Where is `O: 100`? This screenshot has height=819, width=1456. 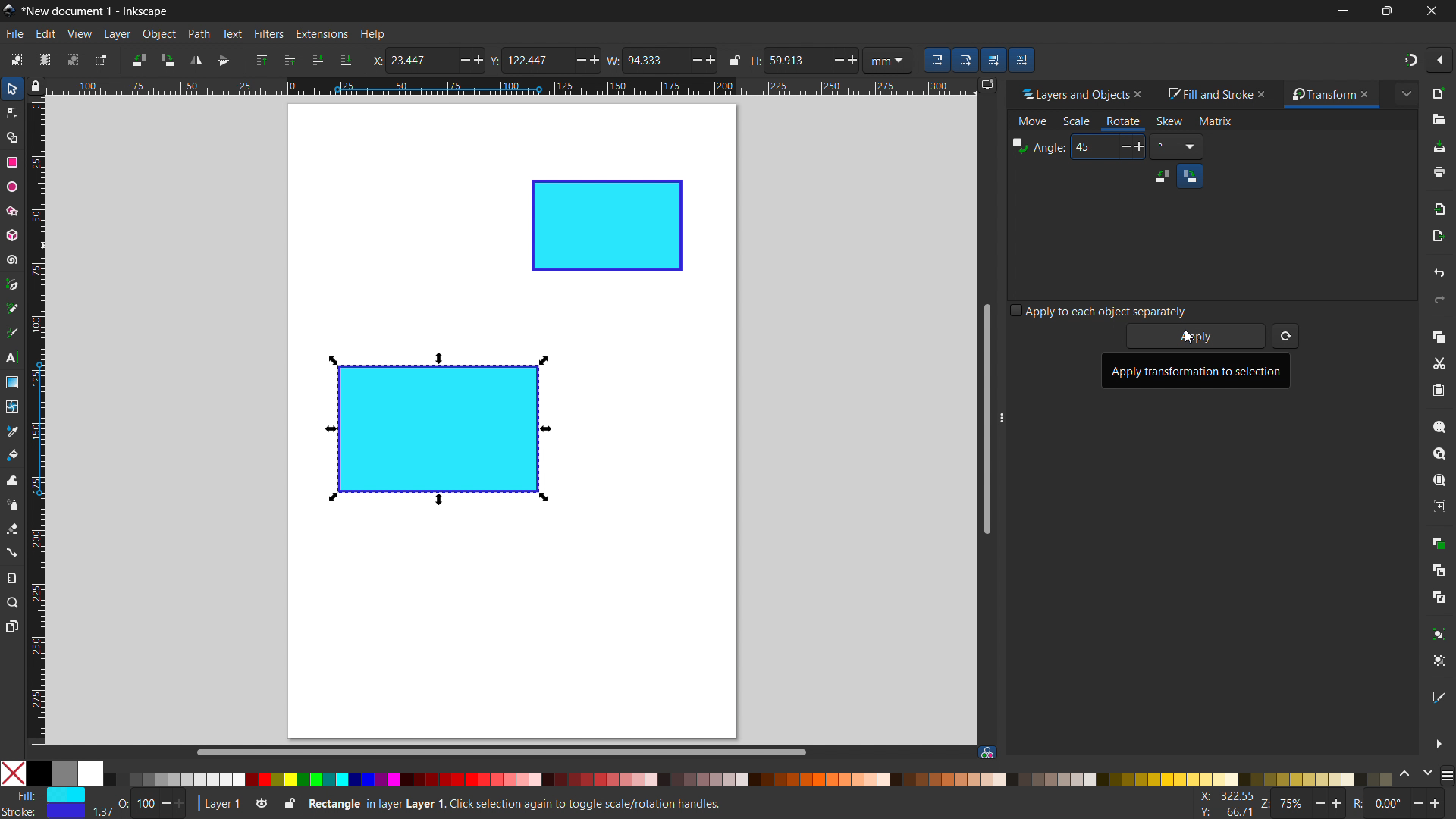 O: 100 is located at coordinates (153, 802).